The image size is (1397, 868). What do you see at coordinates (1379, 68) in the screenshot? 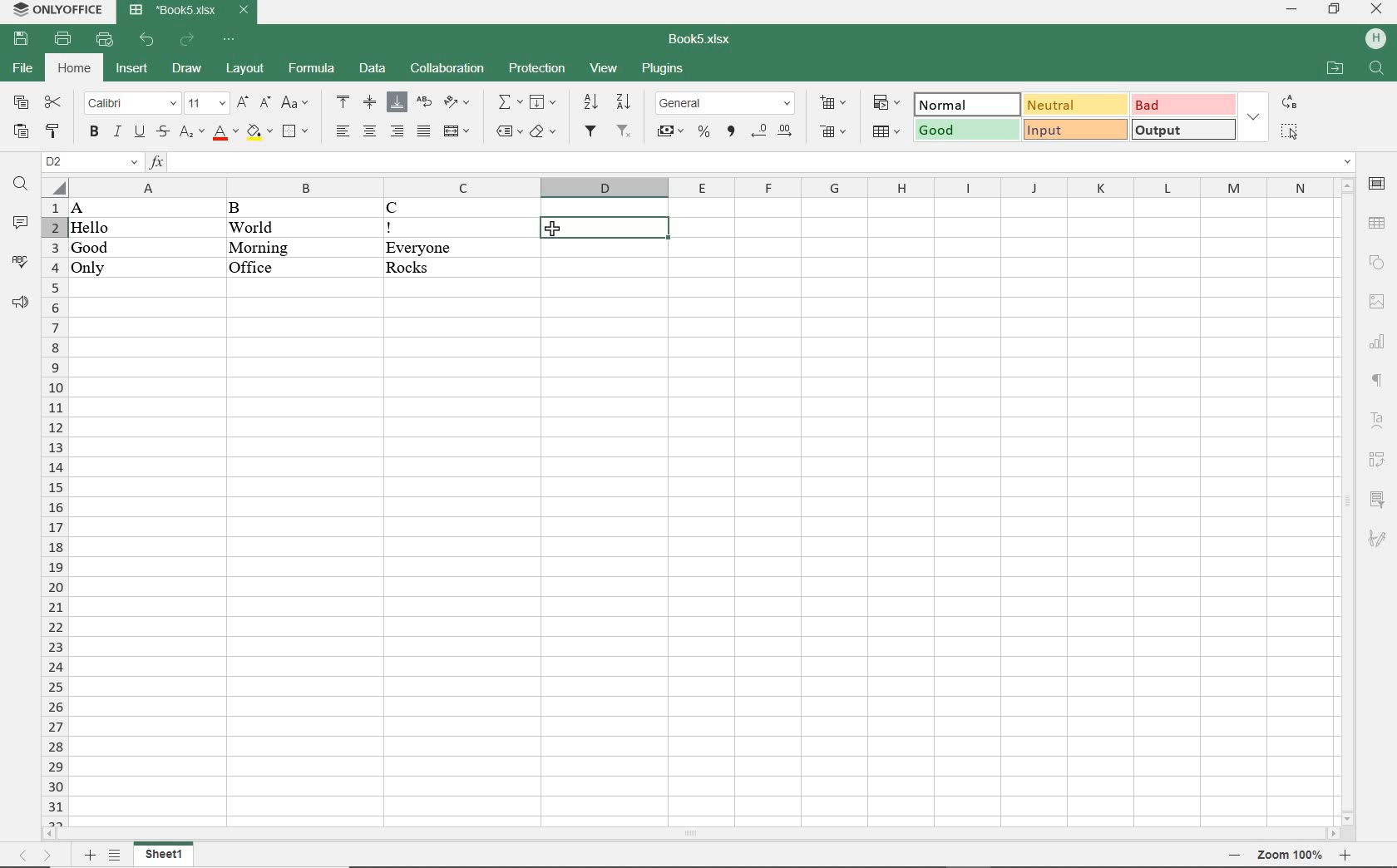
I see `find` at bounding box center [1379, 68].